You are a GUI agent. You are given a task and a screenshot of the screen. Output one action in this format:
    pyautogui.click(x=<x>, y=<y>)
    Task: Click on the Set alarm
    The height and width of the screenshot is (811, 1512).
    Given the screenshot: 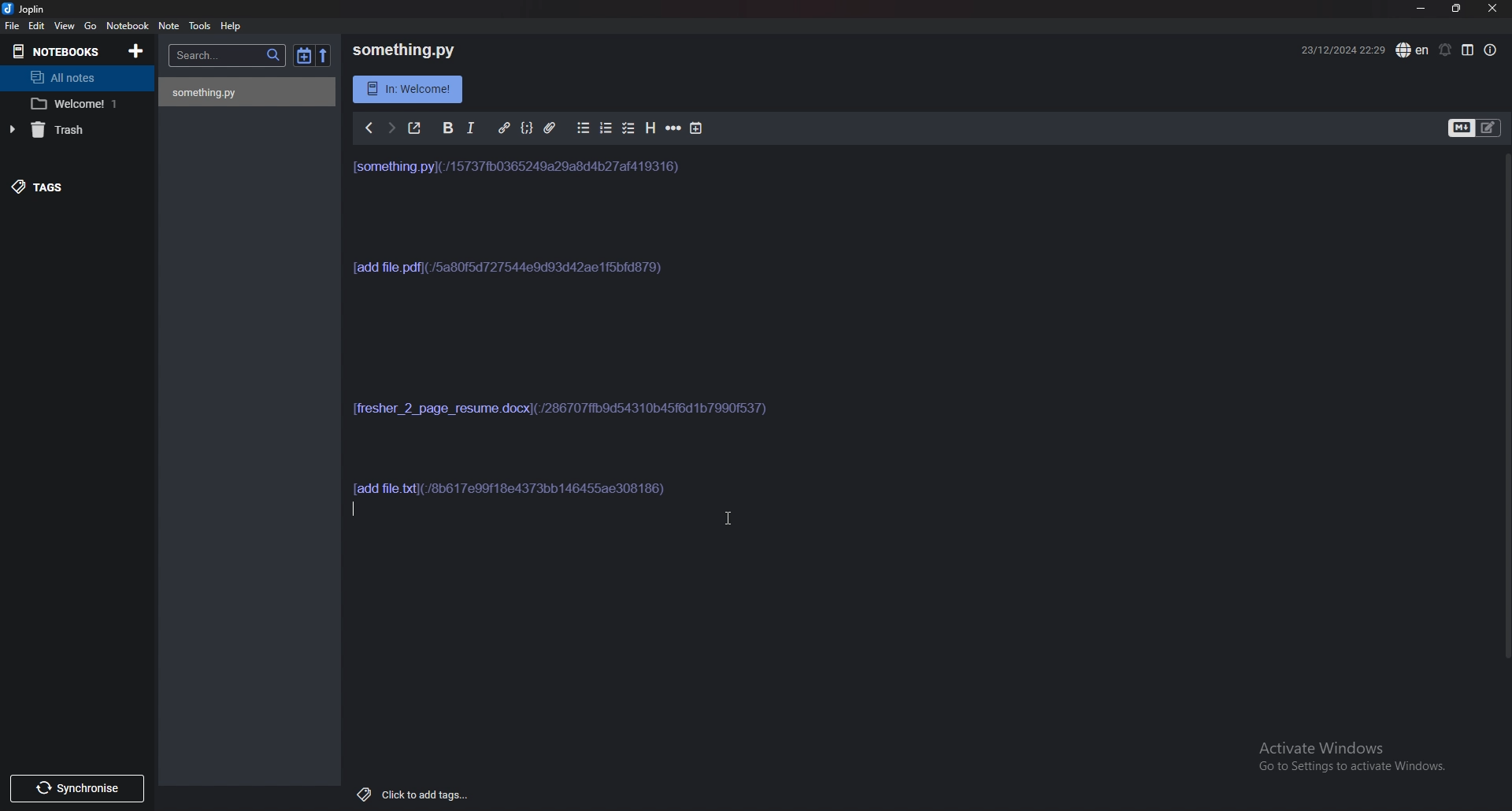 What is the action you would take?
    pyautogui.click(x=1446, y=50)
    